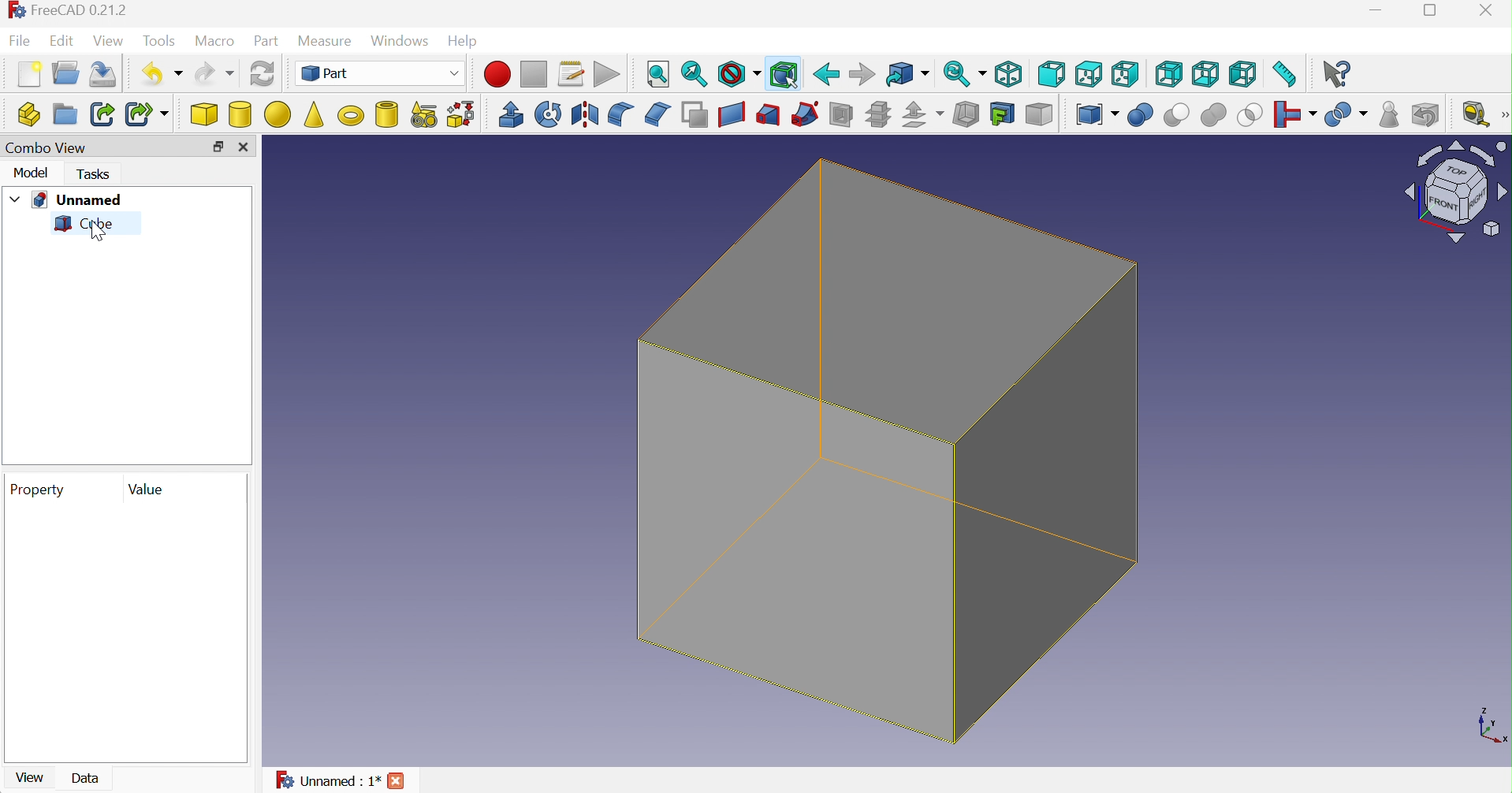 This screenshot has height=793, width=1512. Describe the element at coordinates (657, 114) in the screenshot. I see `Chamfer` at that location.